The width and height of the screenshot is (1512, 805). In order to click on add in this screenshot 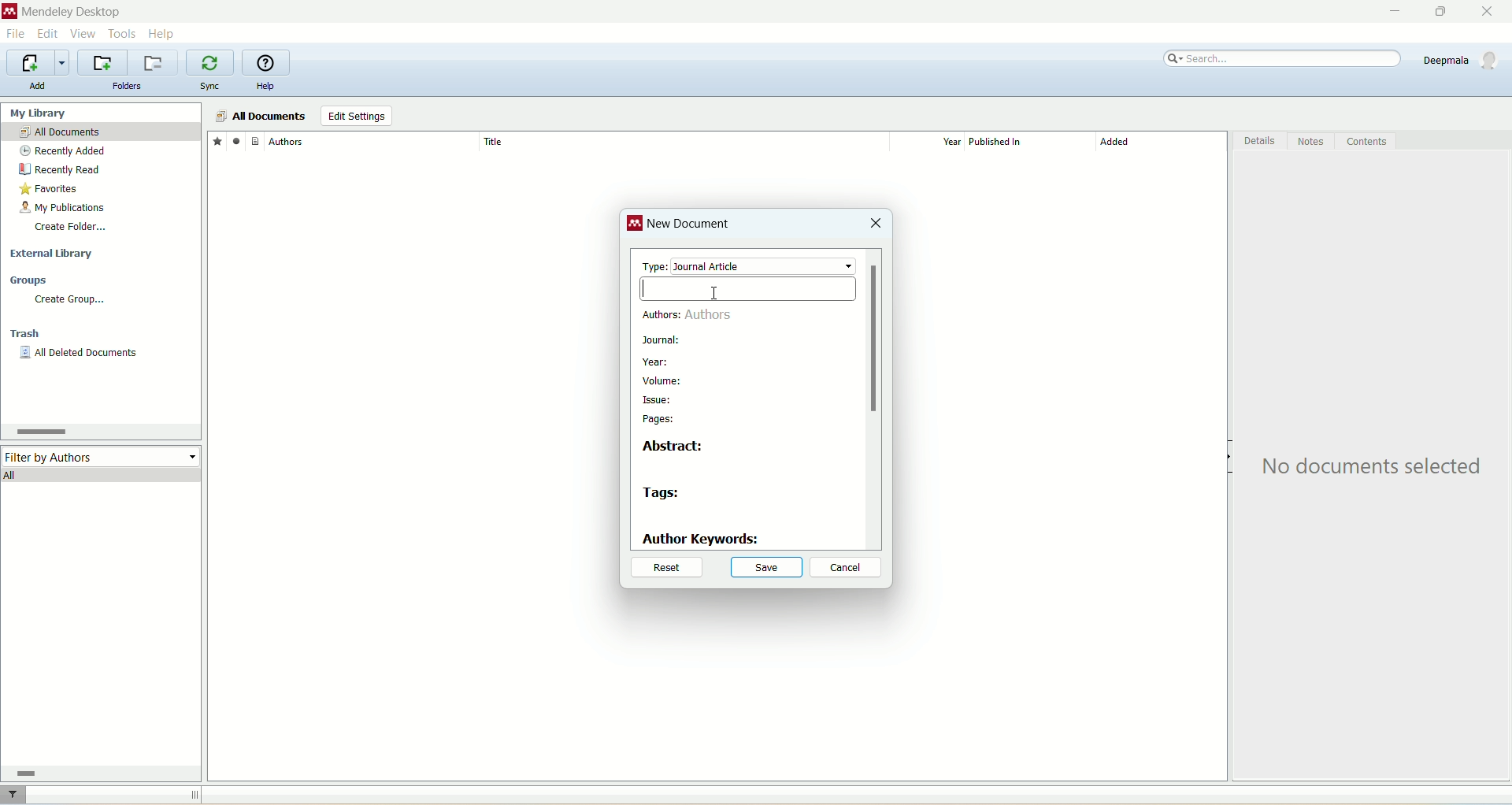, I will do `click(37, 86)`.